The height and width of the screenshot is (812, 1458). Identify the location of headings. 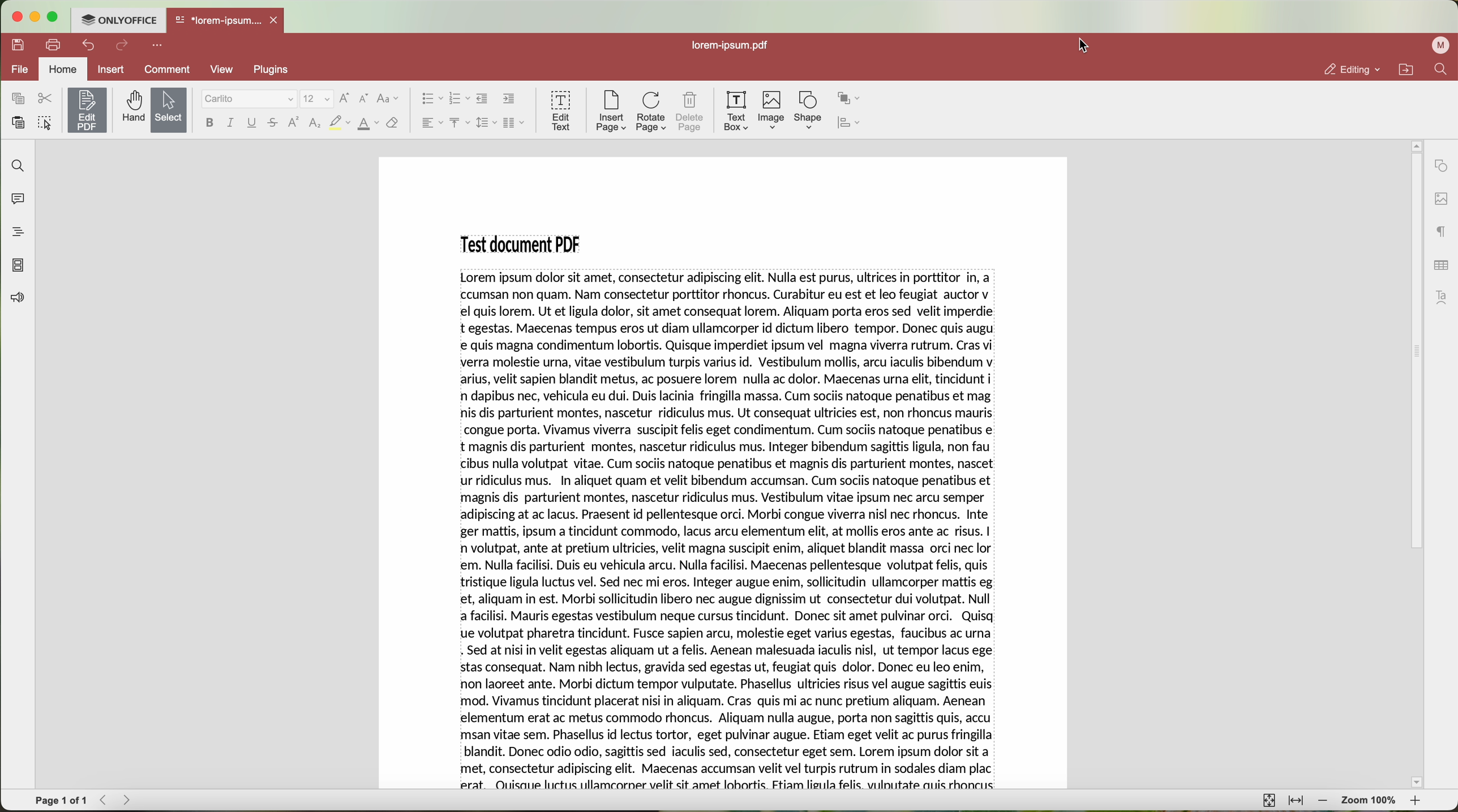
(15, 233).